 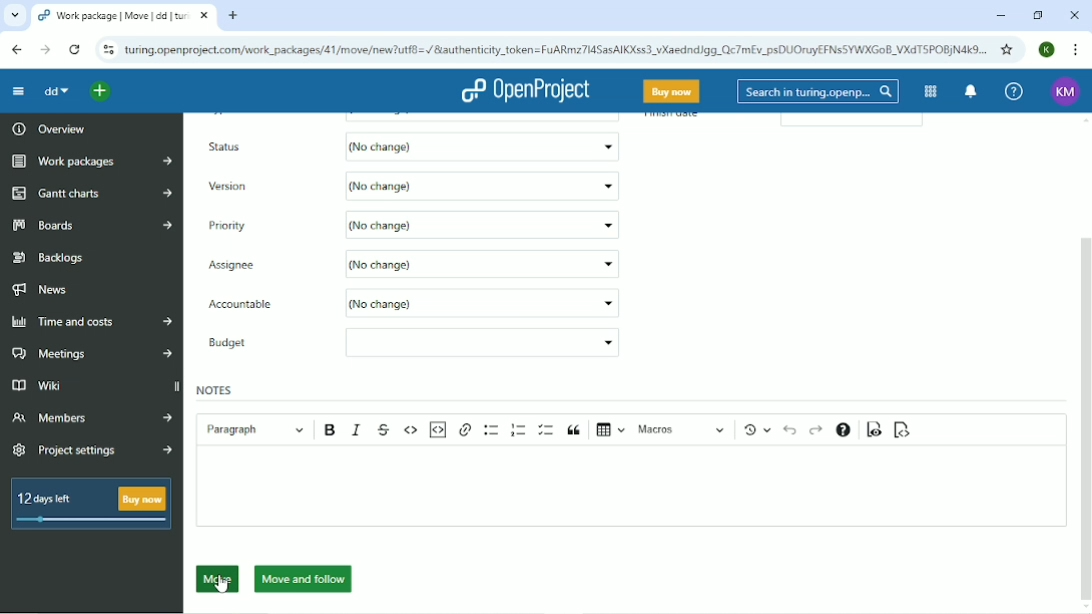 I want to click on Work packages, so click(x=91, y=162).